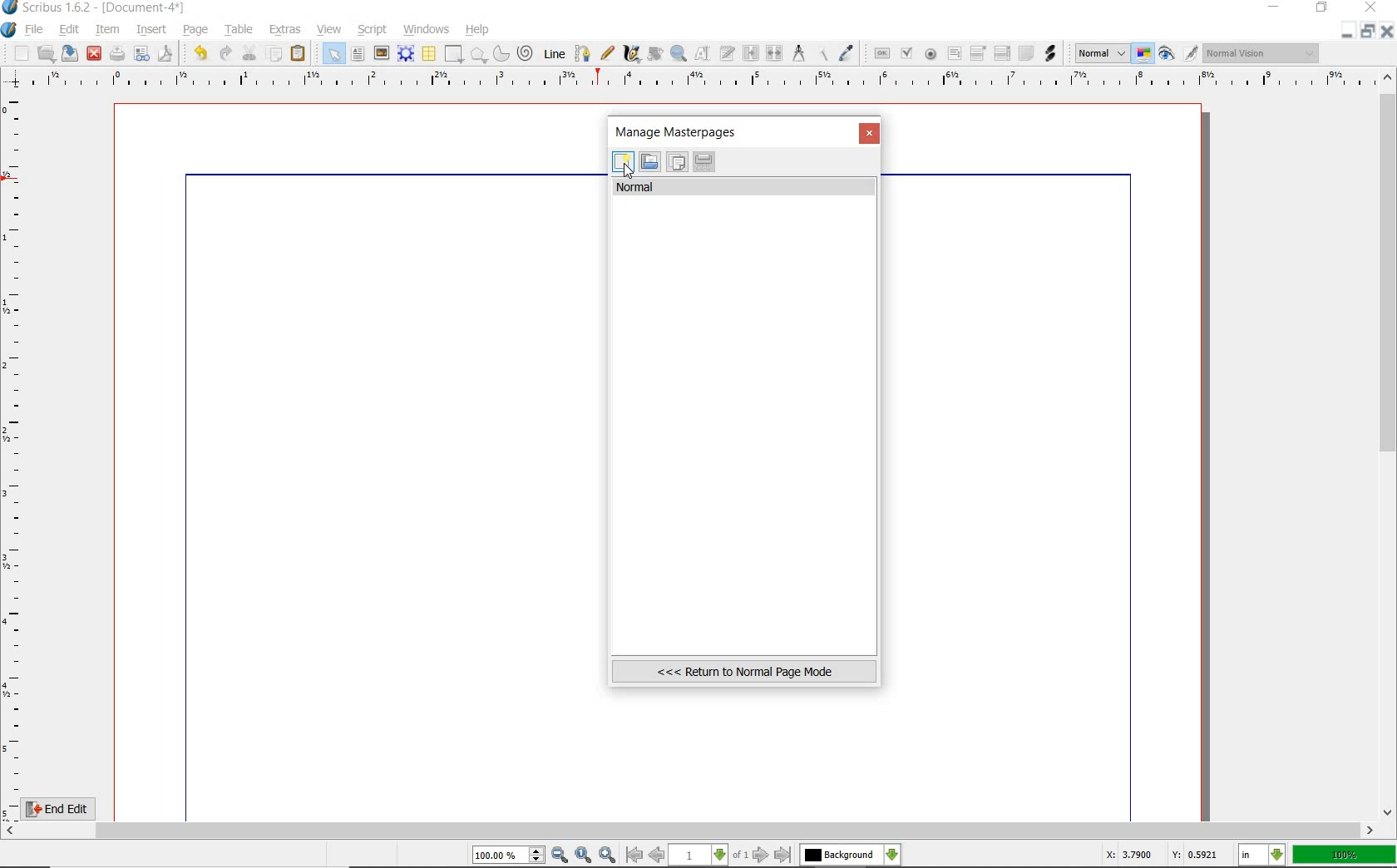  Describe the element at coordinates (1163, 856) in the screenshot. I see `X: 3.7900 Y: 0.5921` at that location.